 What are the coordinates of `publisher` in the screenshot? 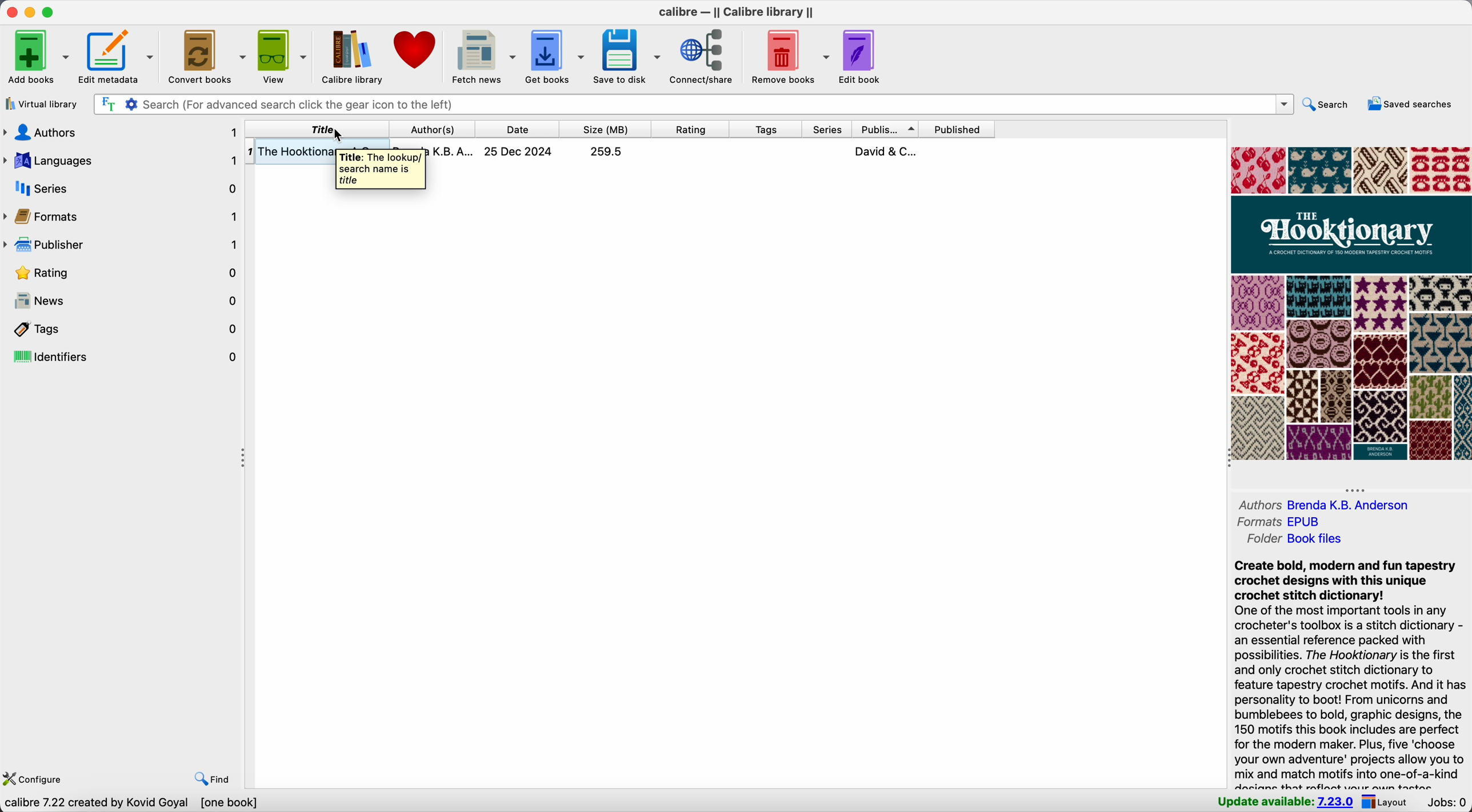 It's located at (888, 128).